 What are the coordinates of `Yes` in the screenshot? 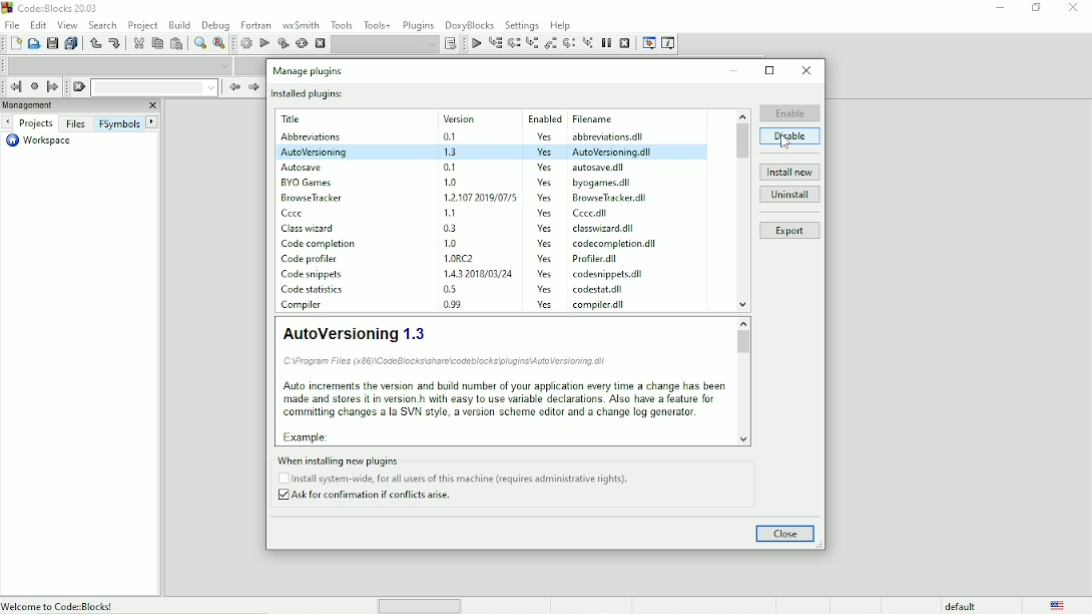 It's located at (545, 259).